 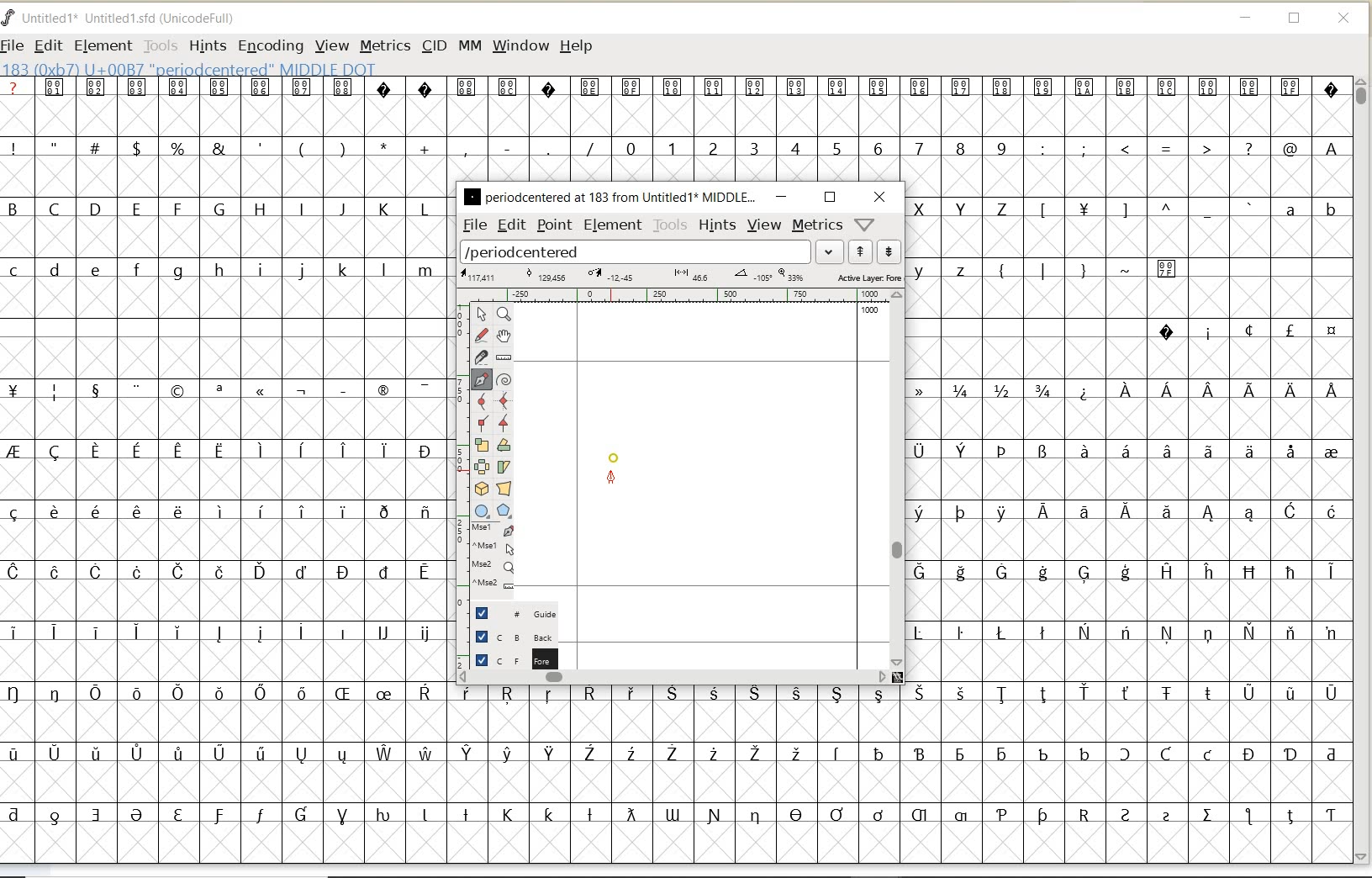 What do you see at coordinates (1310, 213) in the screenshot?
I see `lowercase letters` at bounding box center [1310, 213].